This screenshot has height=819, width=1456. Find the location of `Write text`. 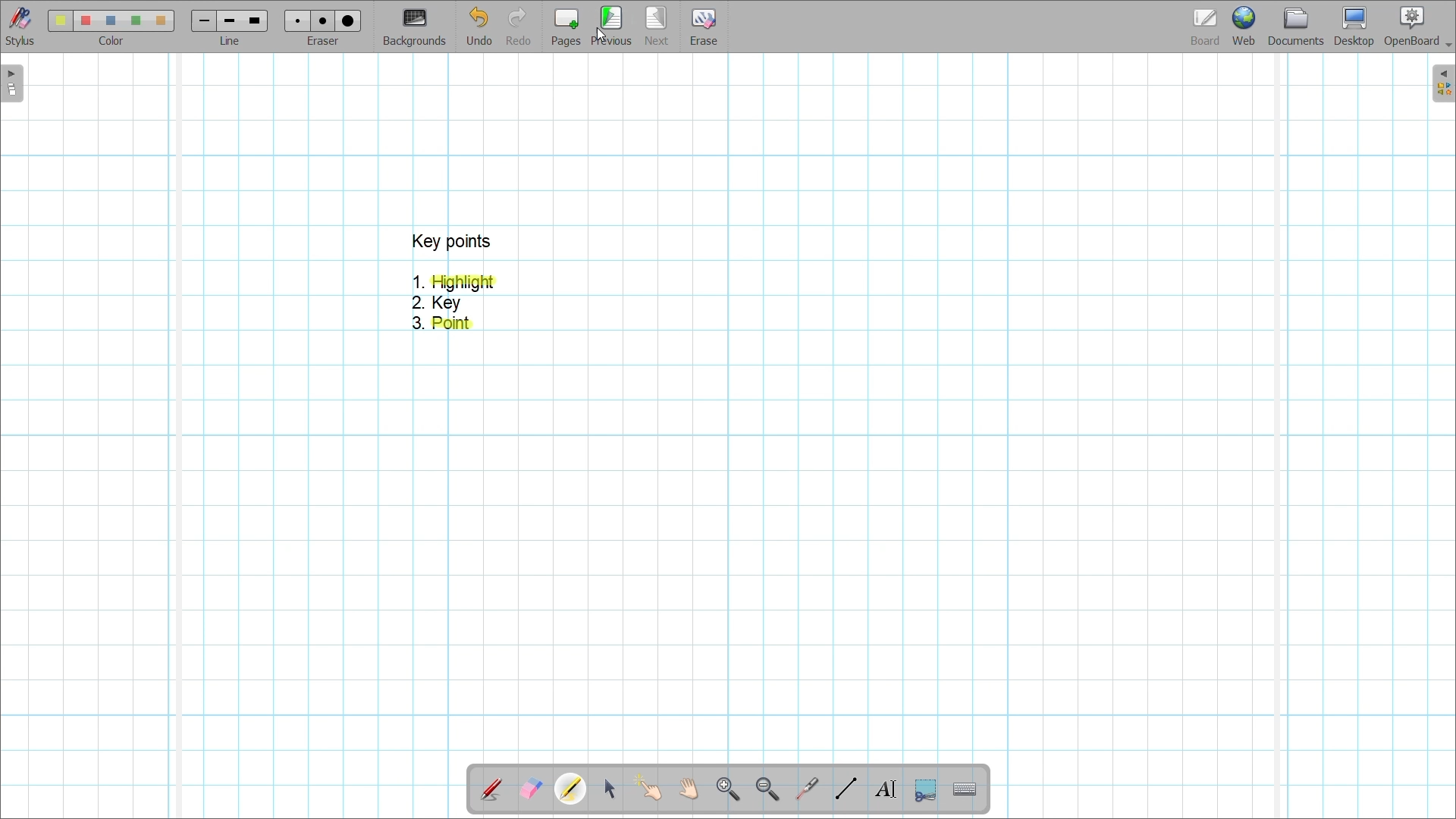

Write text is located at coordinates (885, 789).